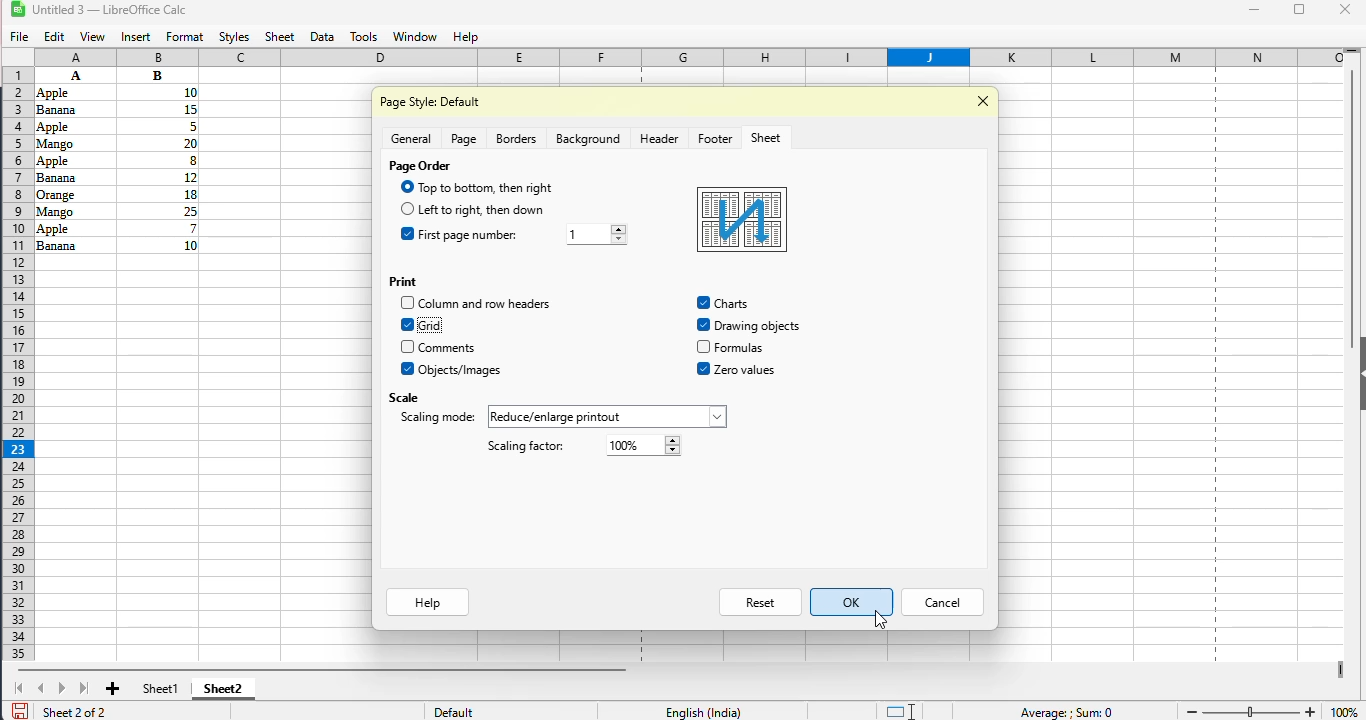 The image size is (1366, 720). I want to click on , so click(159, 245).